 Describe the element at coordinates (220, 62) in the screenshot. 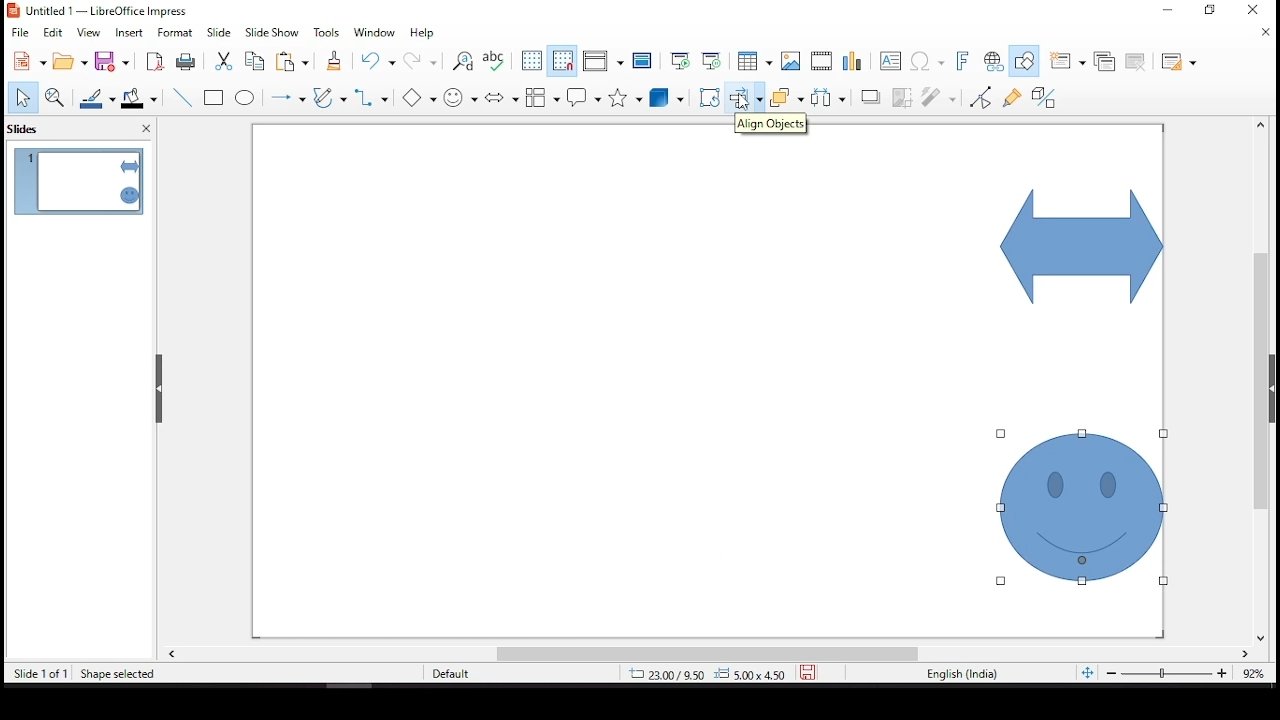

I see `cut` at that location.